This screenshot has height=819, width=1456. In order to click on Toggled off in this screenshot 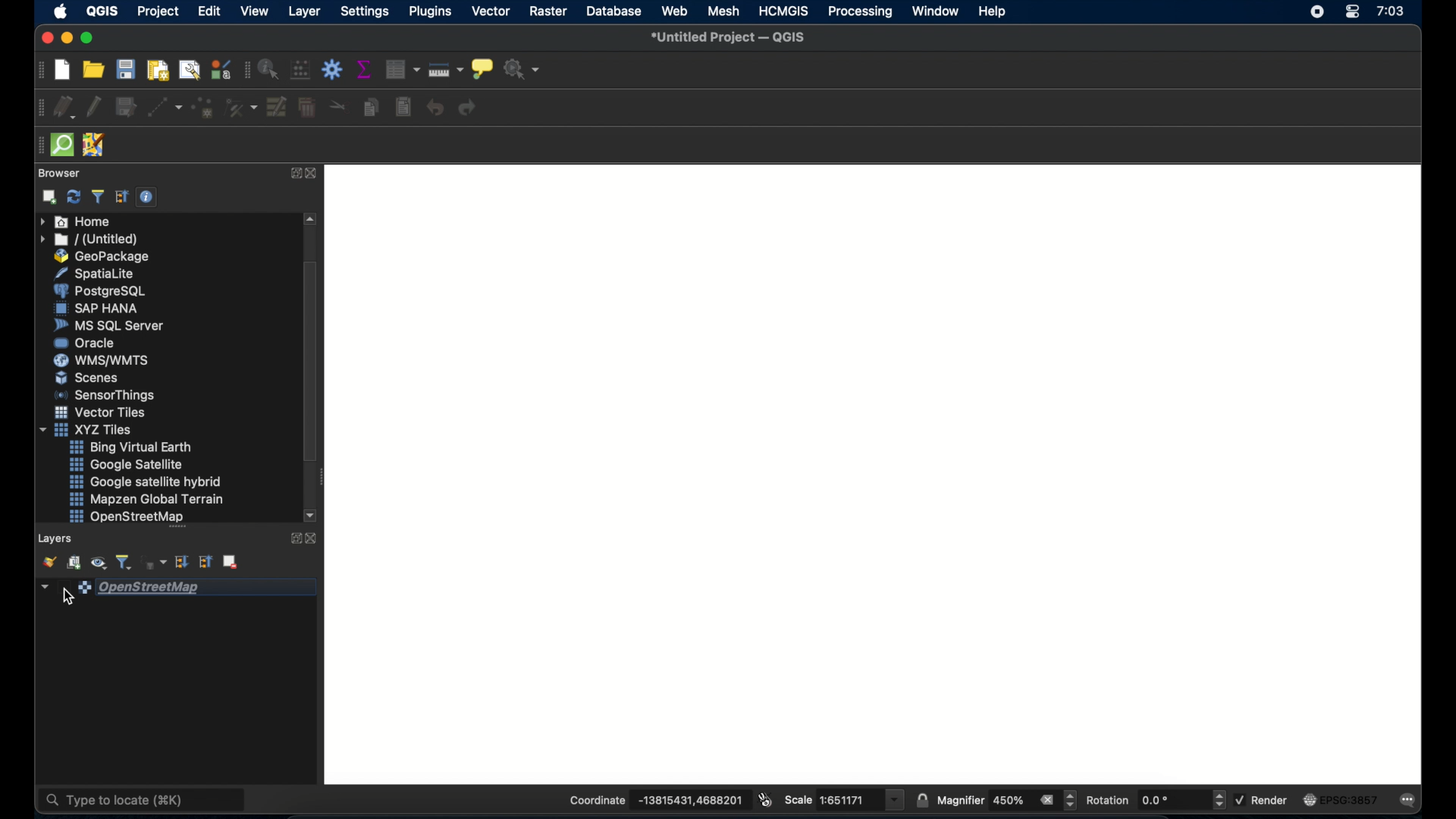, I will do `click(875, 473)`.